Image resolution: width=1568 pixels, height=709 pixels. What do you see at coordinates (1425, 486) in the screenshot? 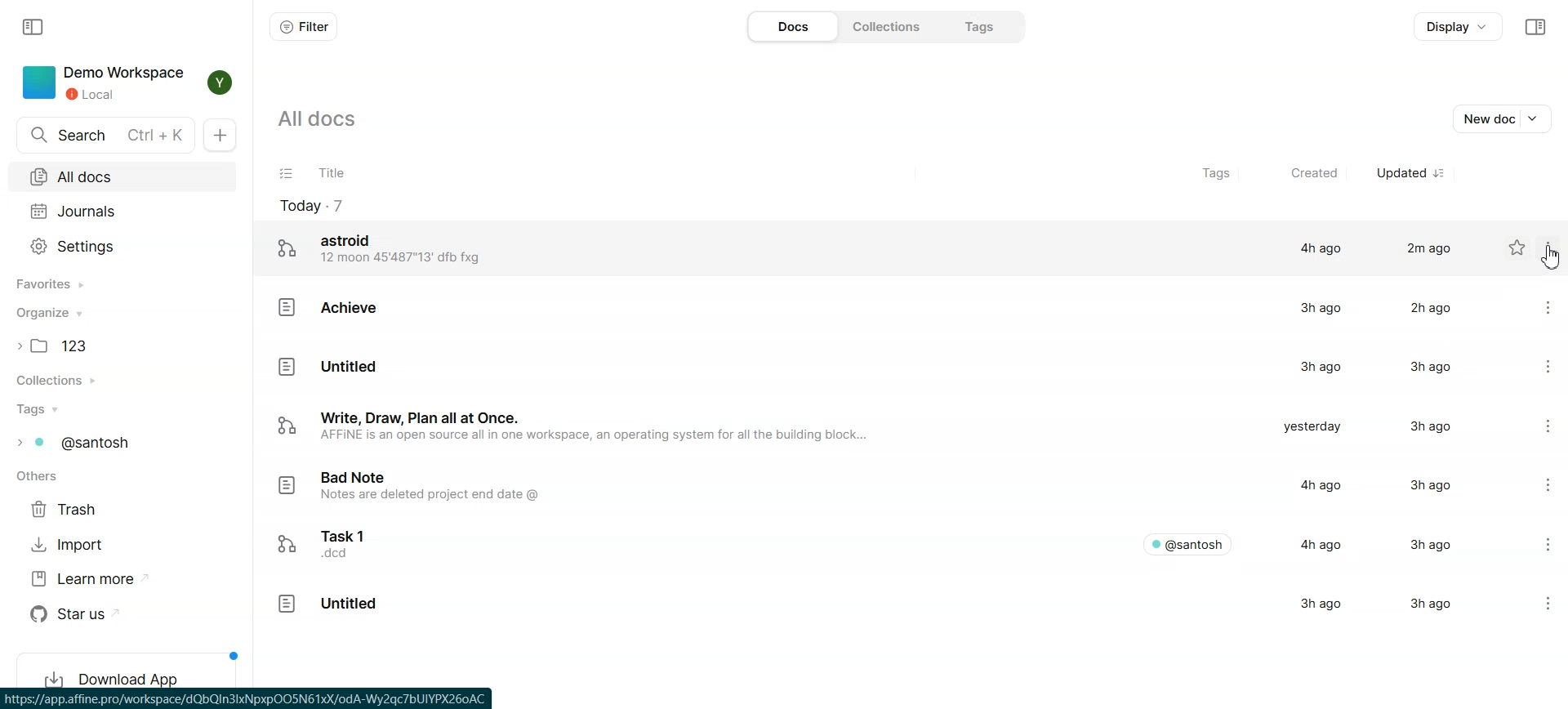
I see `3h ago` at bounding box center [1425, 486].